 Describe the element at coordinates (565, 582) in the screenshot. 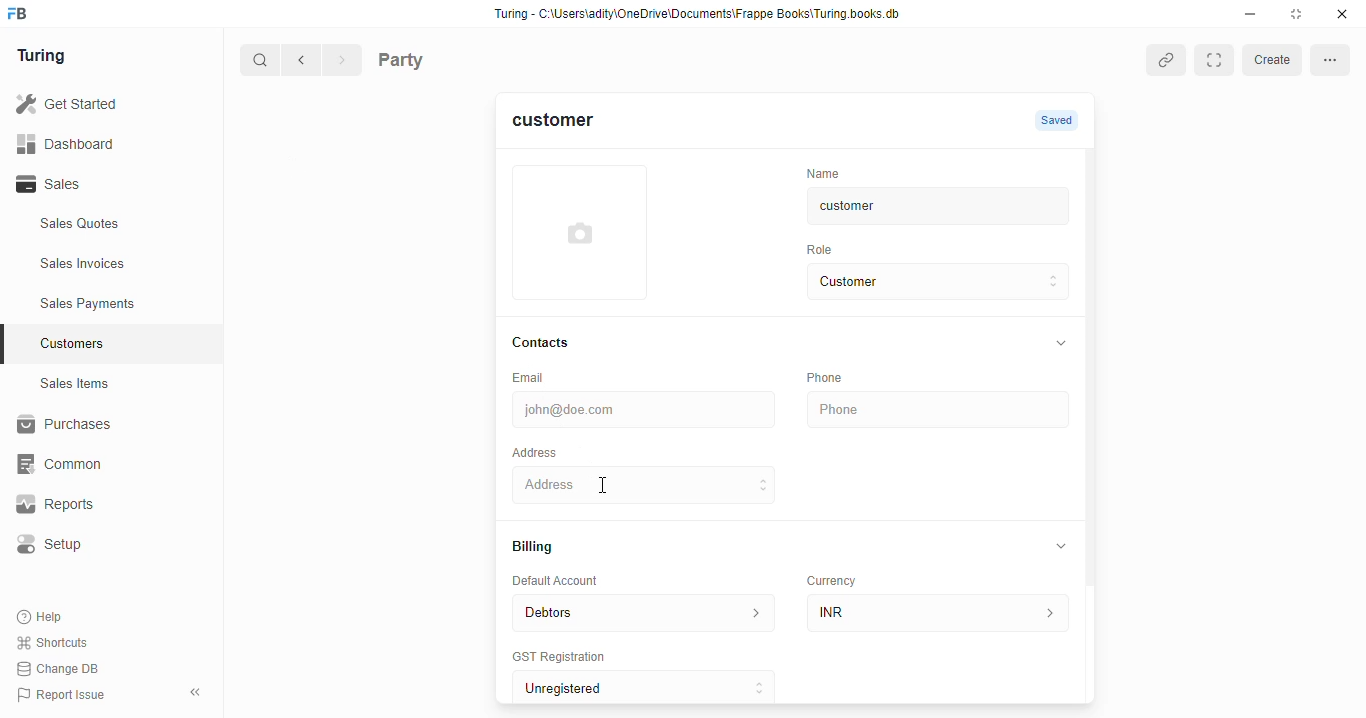

I see `Default Account` at that location.